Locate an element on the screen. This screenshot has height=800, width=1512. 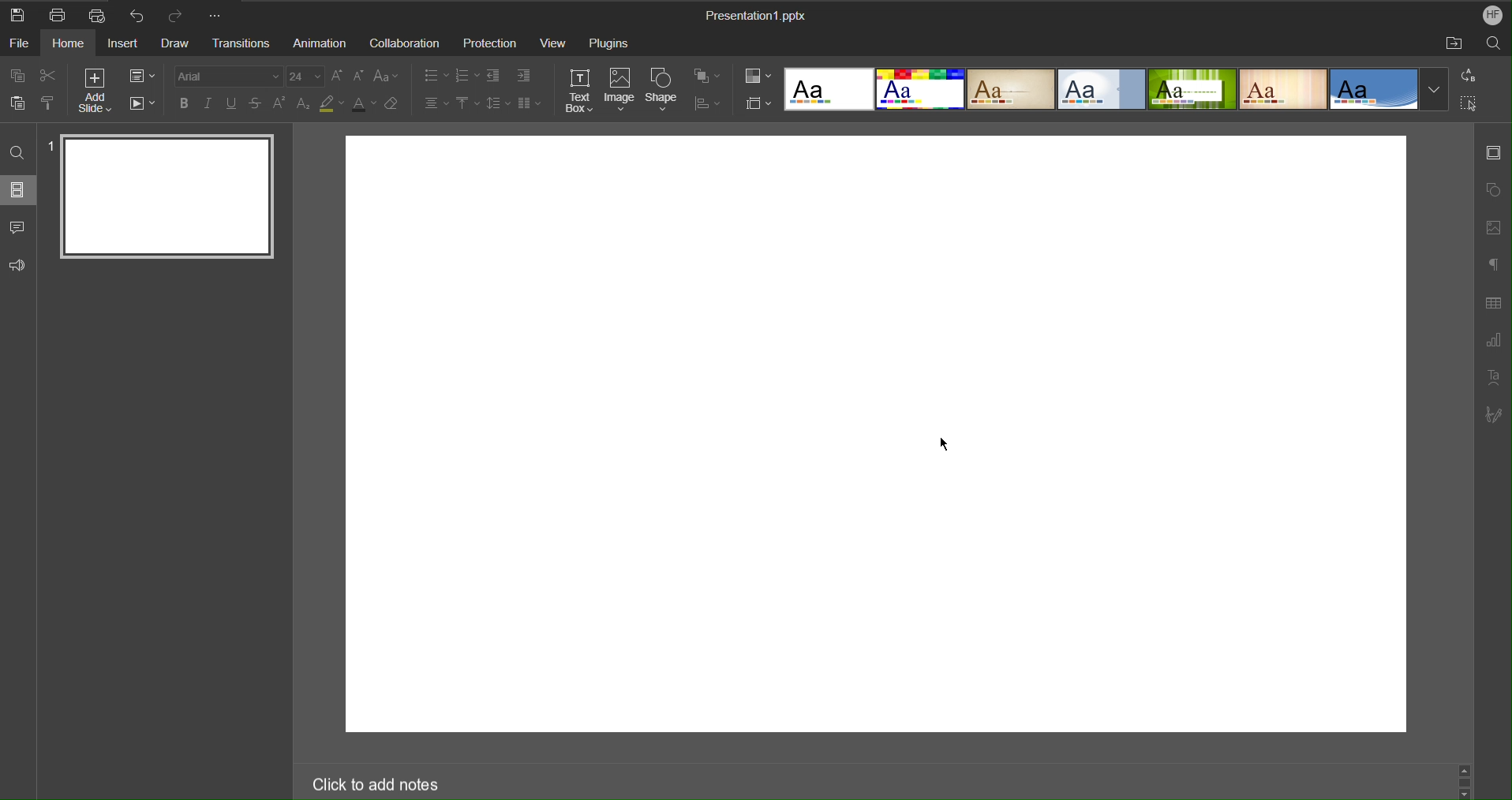
Animation is located at coordinates (315, 41).